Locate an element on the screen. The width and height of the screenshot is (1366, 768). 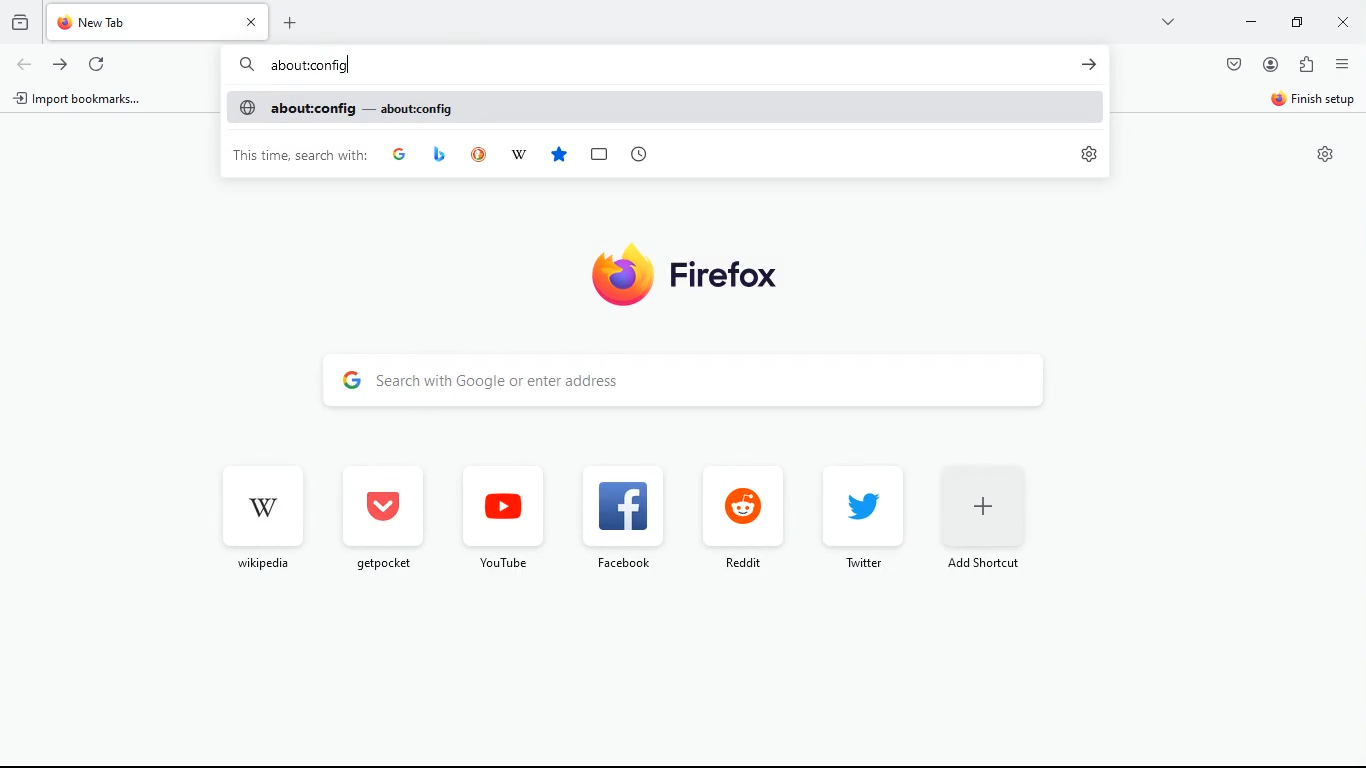
finish setup is located at coordinates (1314, 102).